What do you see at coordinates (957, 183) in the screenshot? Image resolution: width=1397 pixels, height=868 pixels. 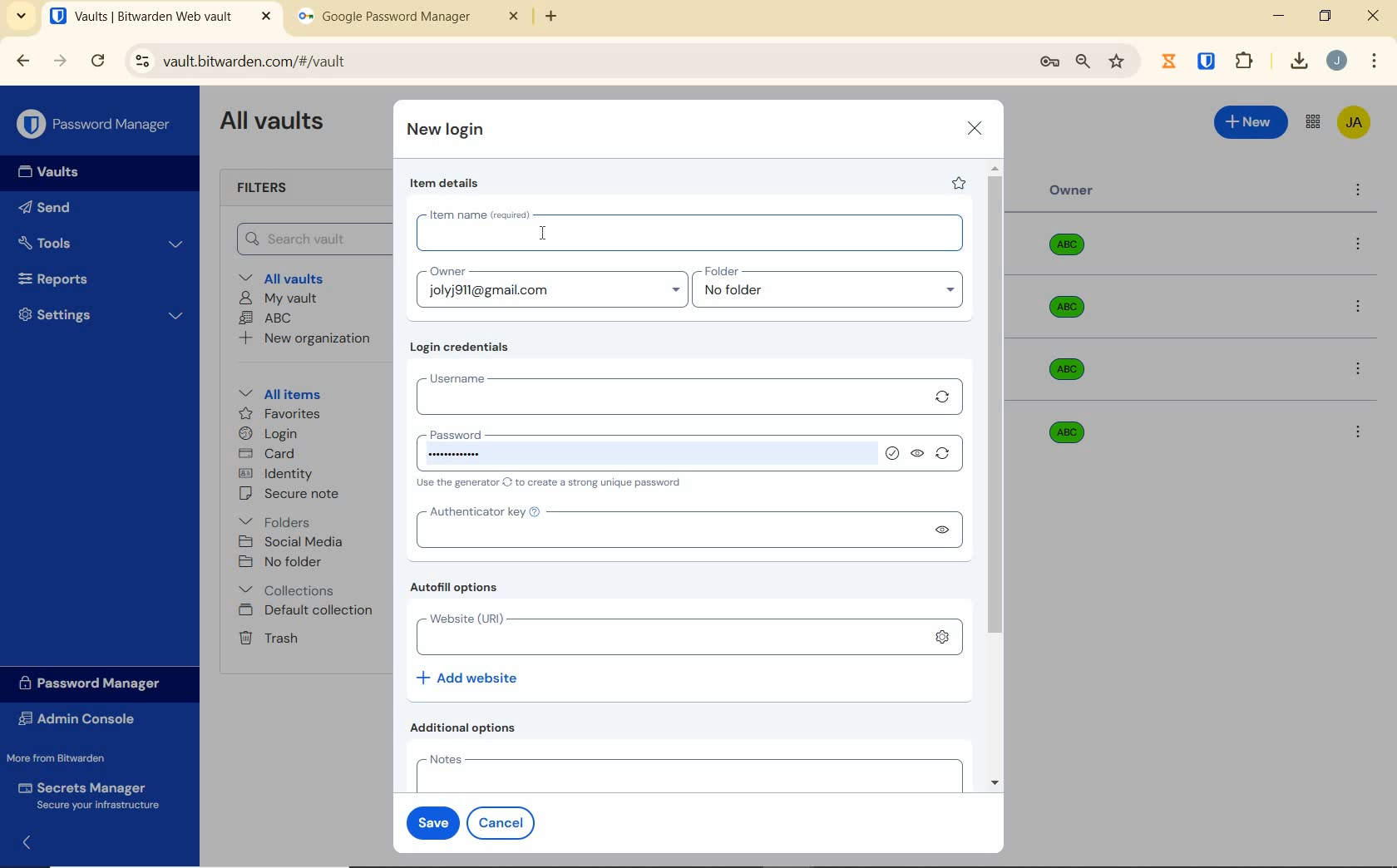 I see `favorite` at bounding box center [957, 183].